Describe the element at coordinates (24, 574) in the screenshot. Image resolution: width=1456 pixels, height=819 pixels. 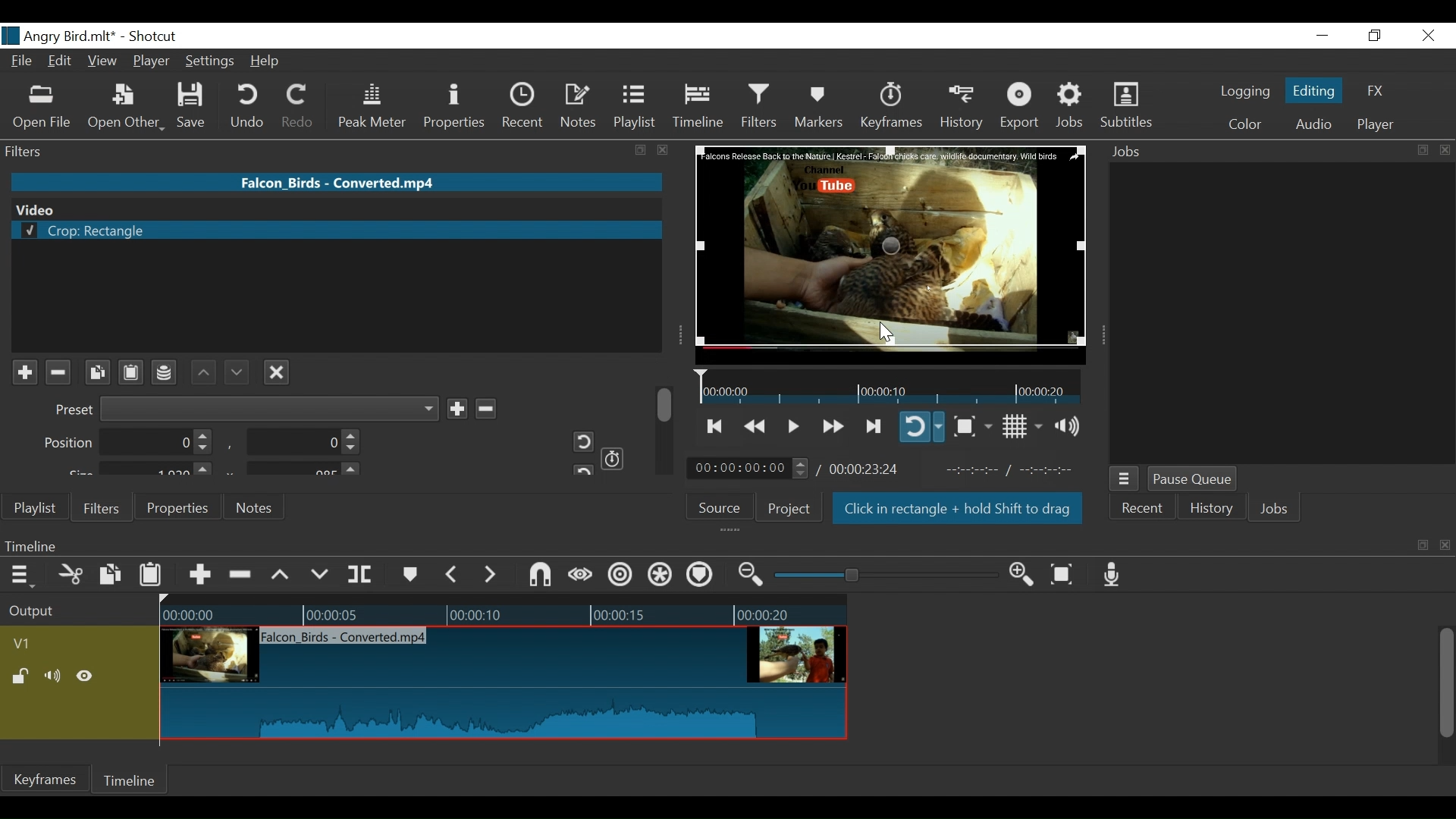
I see `Timeline menu` at that location.